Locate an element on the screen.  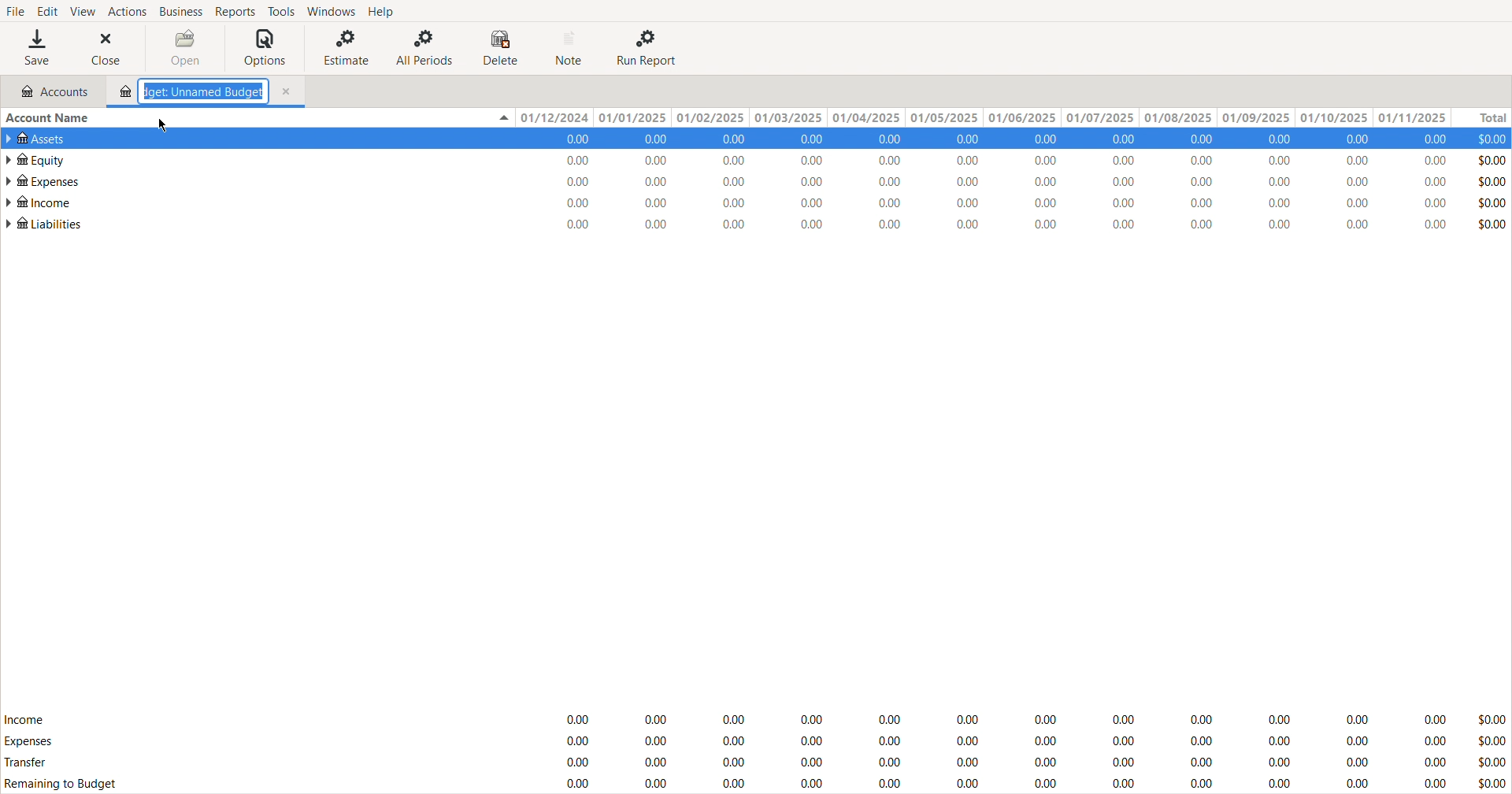
Income is located at coordinates (39, 198).